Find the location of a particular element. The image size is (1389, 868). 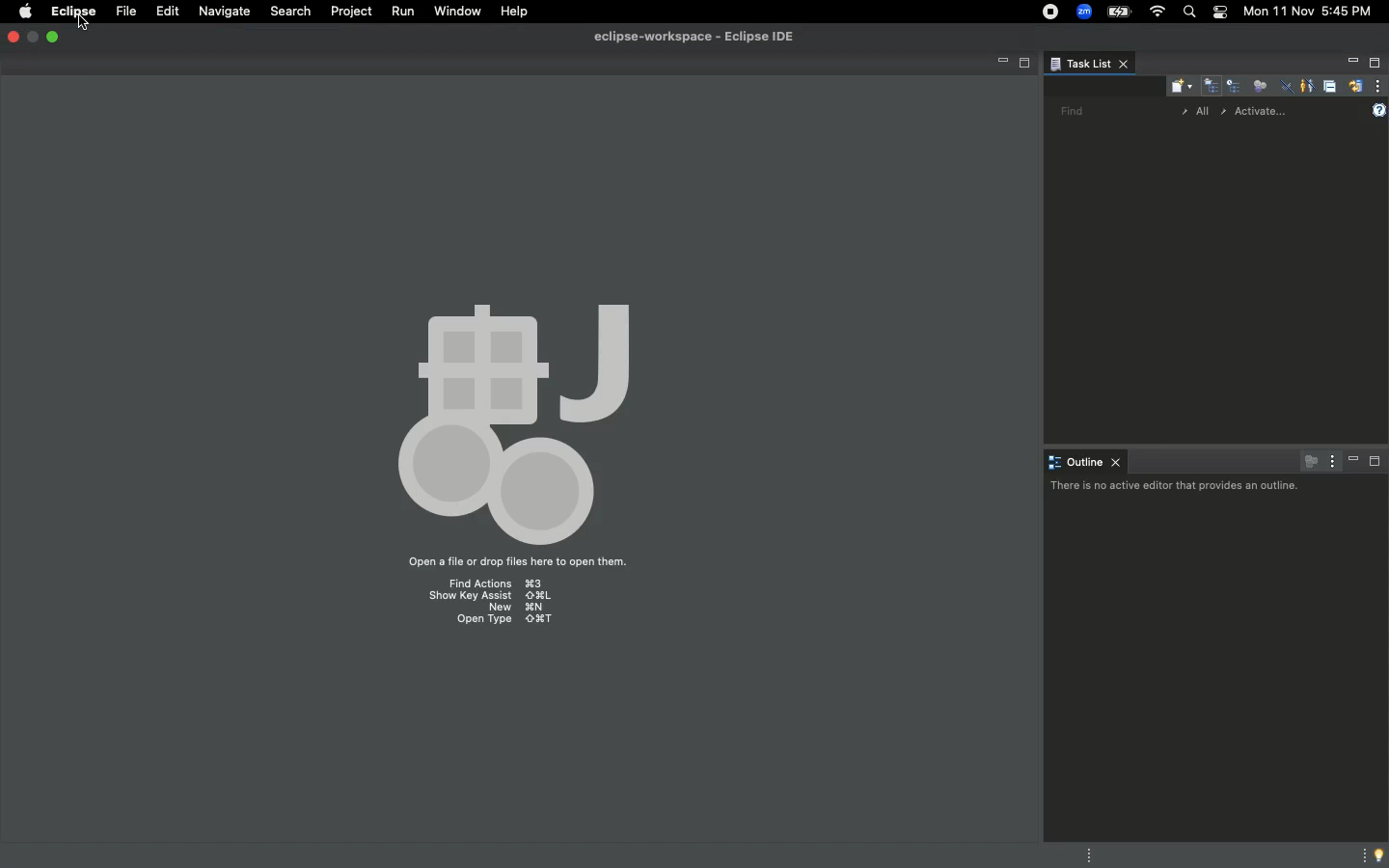

Maximize  is located at coordinates (1375, 64).